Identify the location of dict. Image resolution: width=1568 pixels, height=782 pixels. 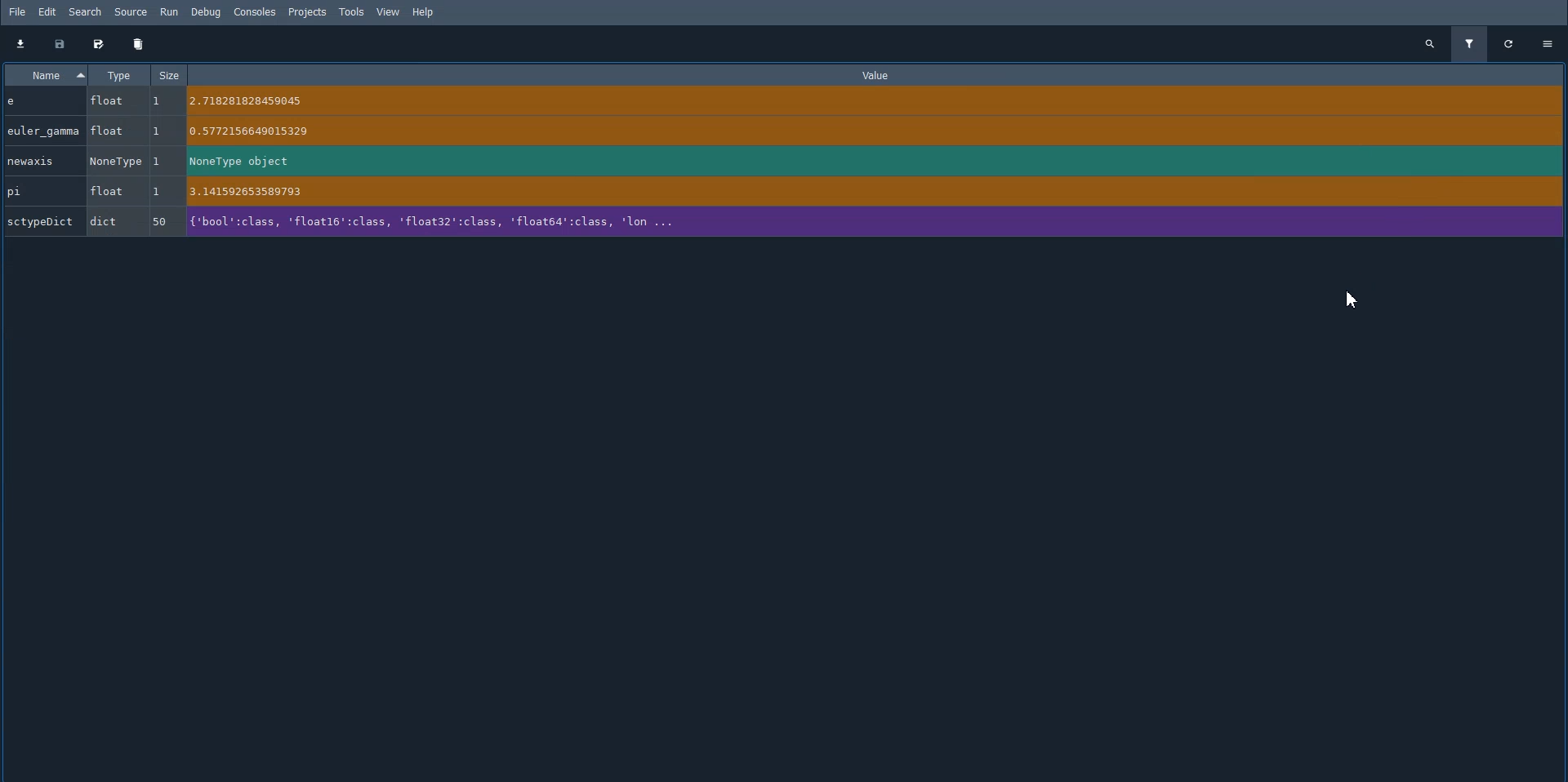
(112, 220).